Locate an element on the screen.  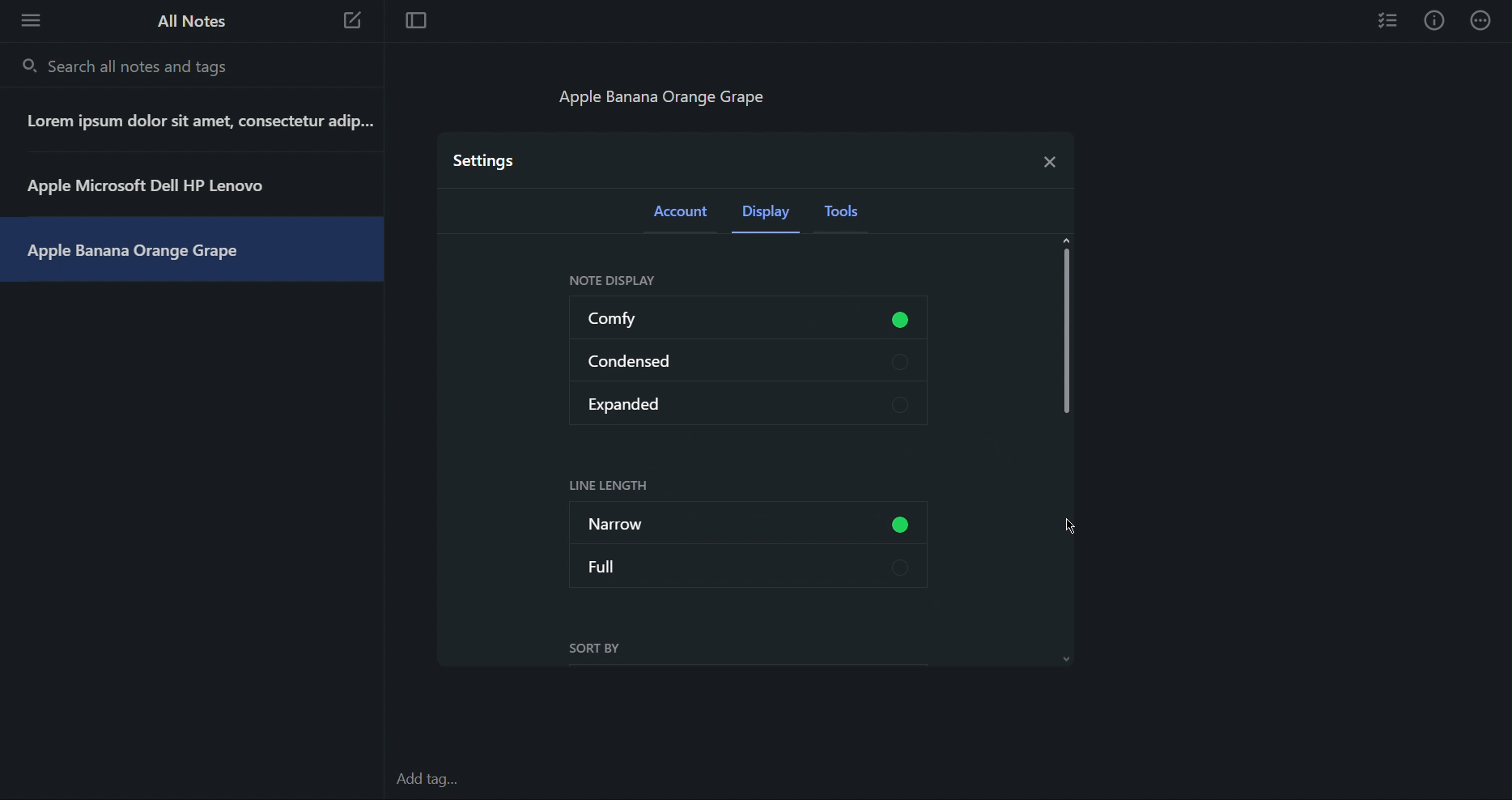
Line Length is located at coordinates (611, 486).